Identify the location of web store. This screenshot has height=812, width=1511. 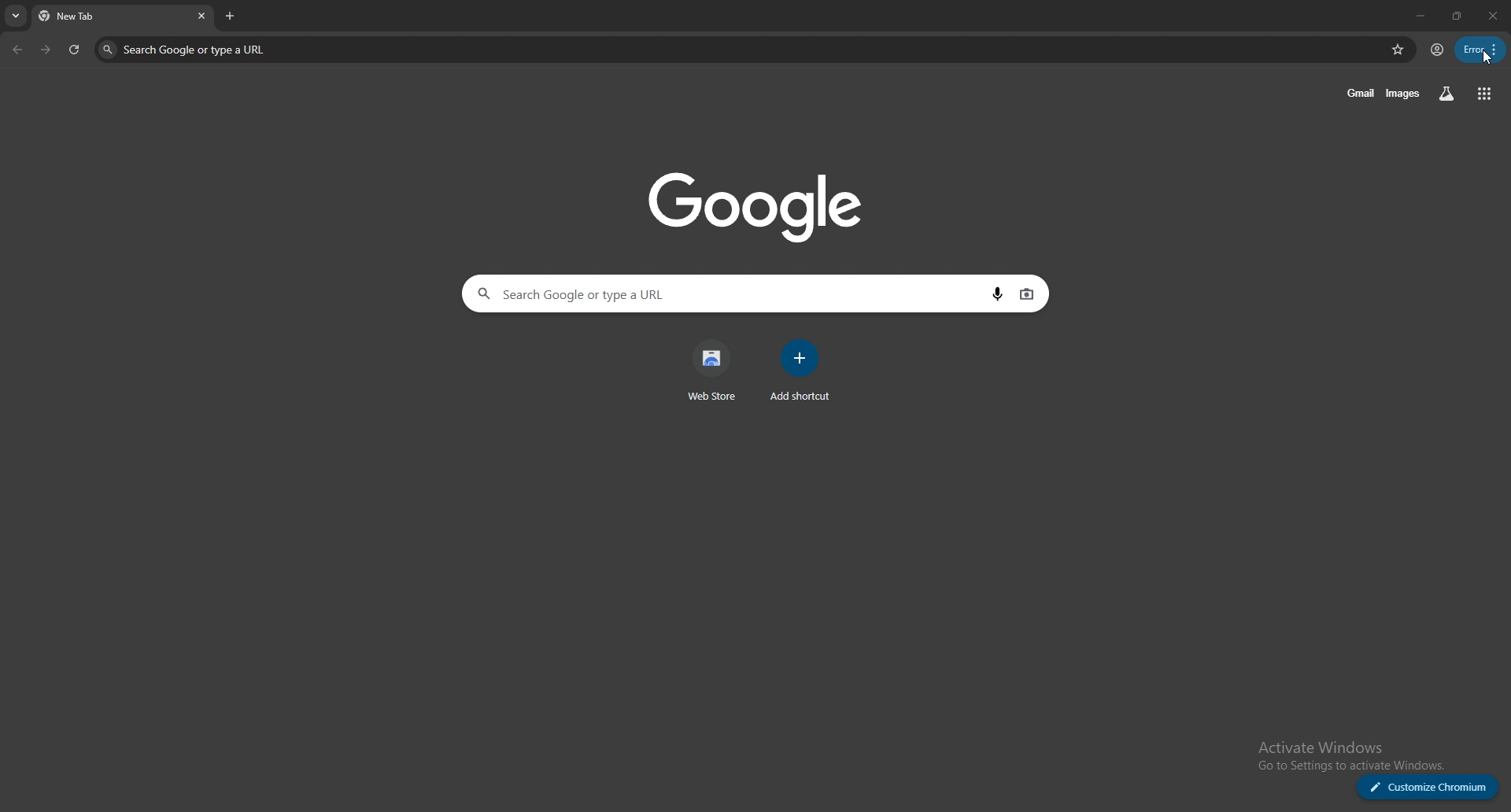
(715, 371).